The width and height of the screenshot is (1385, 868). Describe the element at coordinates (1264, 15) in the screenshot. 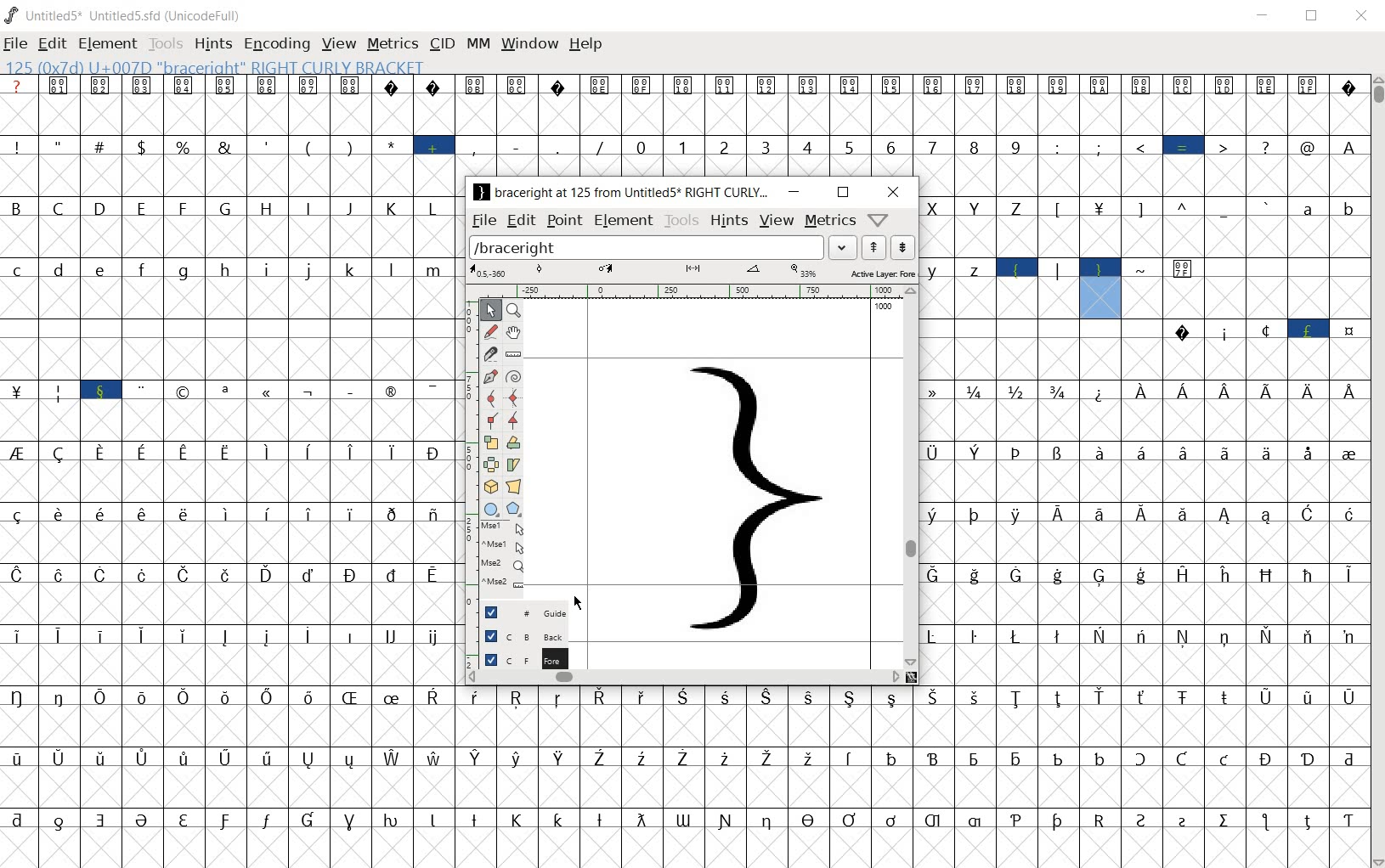

I see `MINIMIZE` at that location.